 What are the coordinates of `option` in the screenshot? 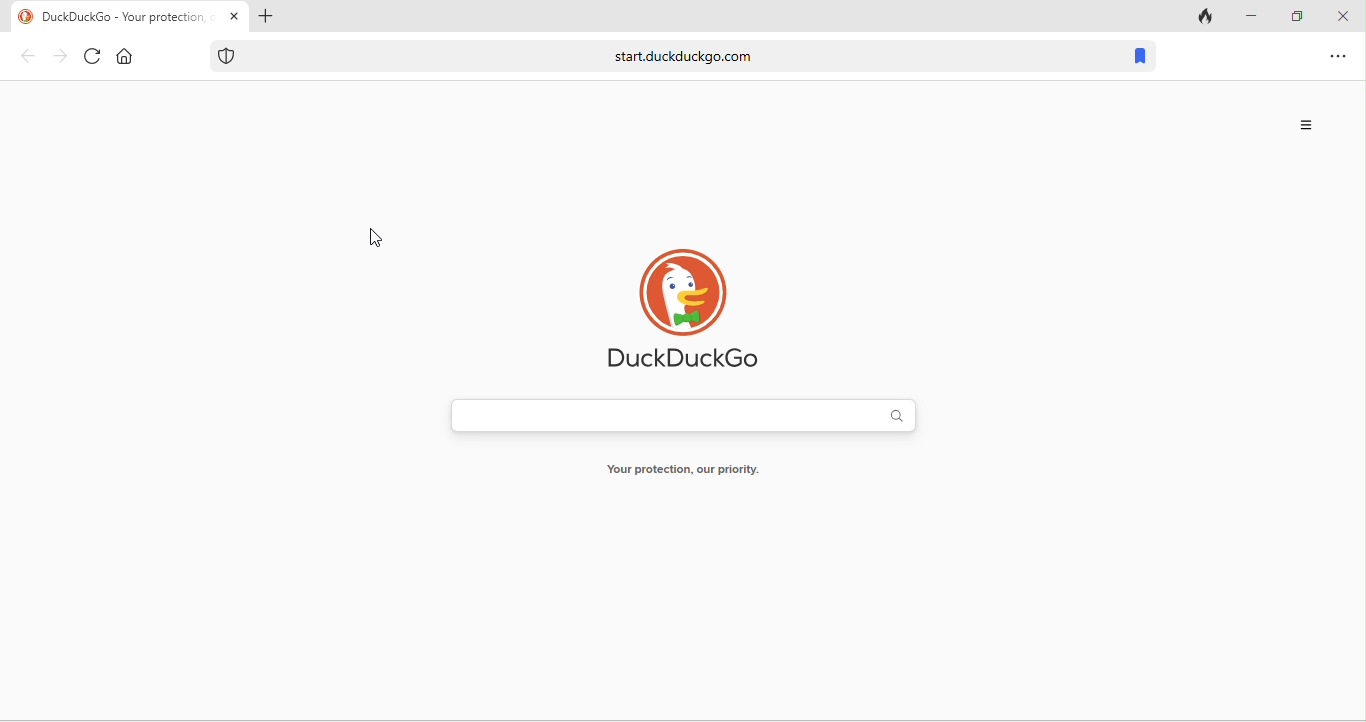 It's located at (1338, 60).